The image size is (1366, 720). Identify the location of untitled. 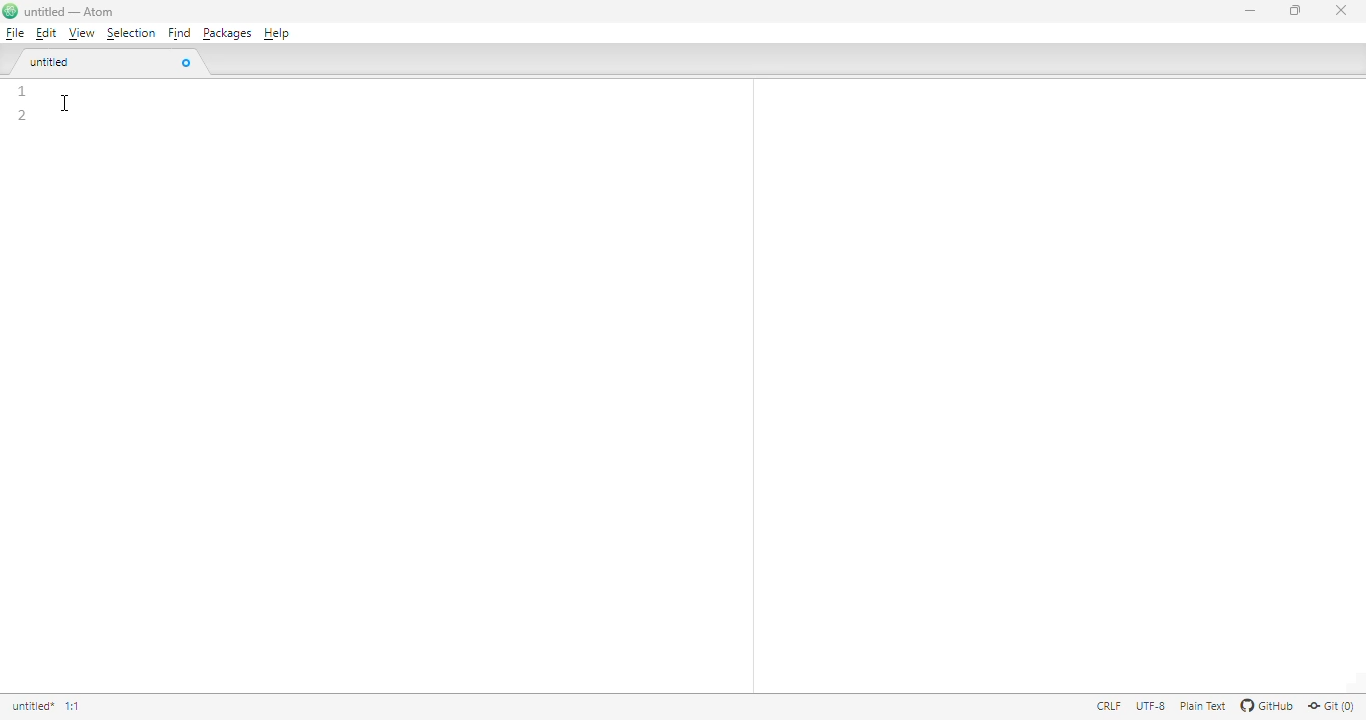
(32, 706).